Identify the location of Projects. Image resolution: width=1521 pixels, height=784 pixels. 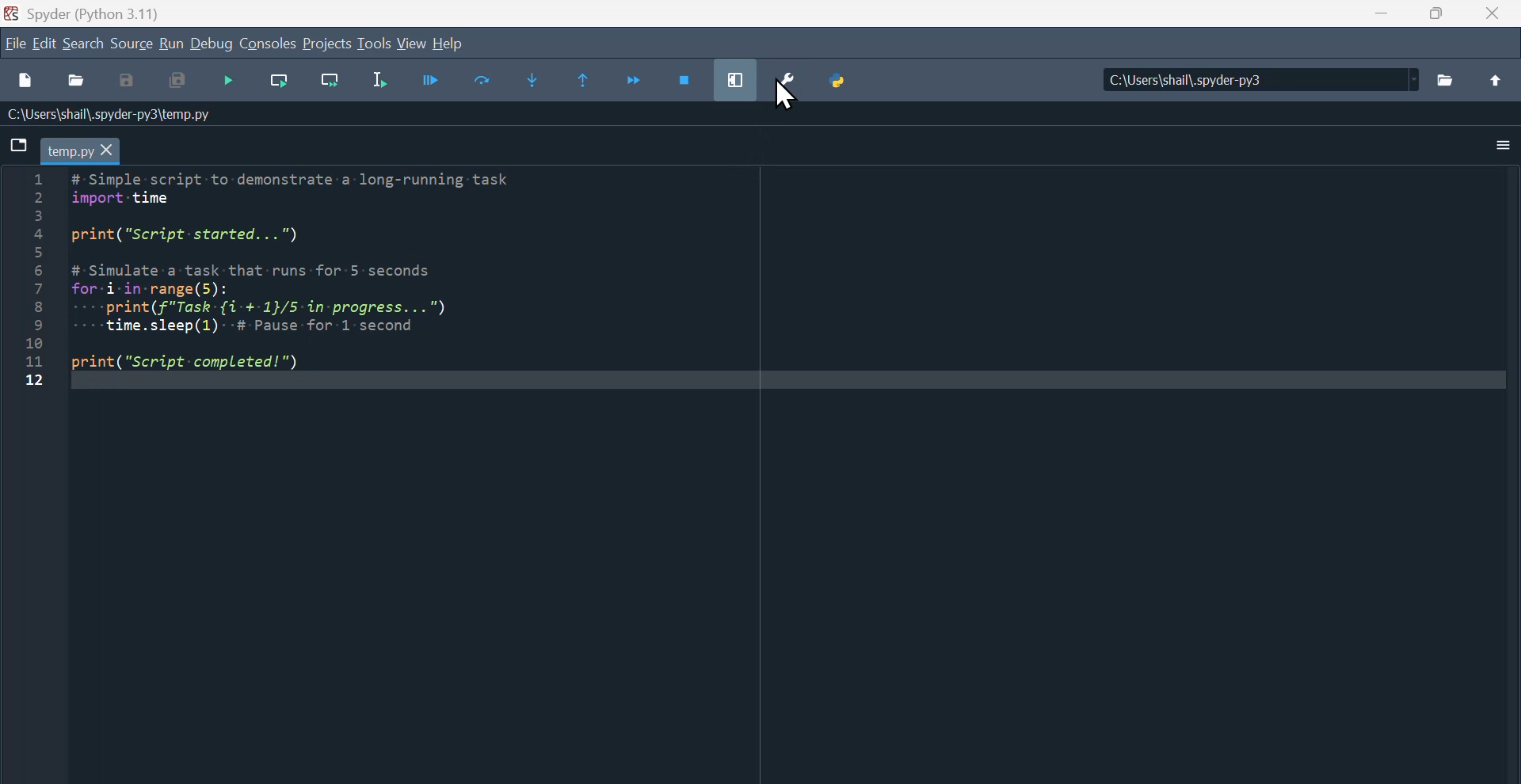
(326, 42).